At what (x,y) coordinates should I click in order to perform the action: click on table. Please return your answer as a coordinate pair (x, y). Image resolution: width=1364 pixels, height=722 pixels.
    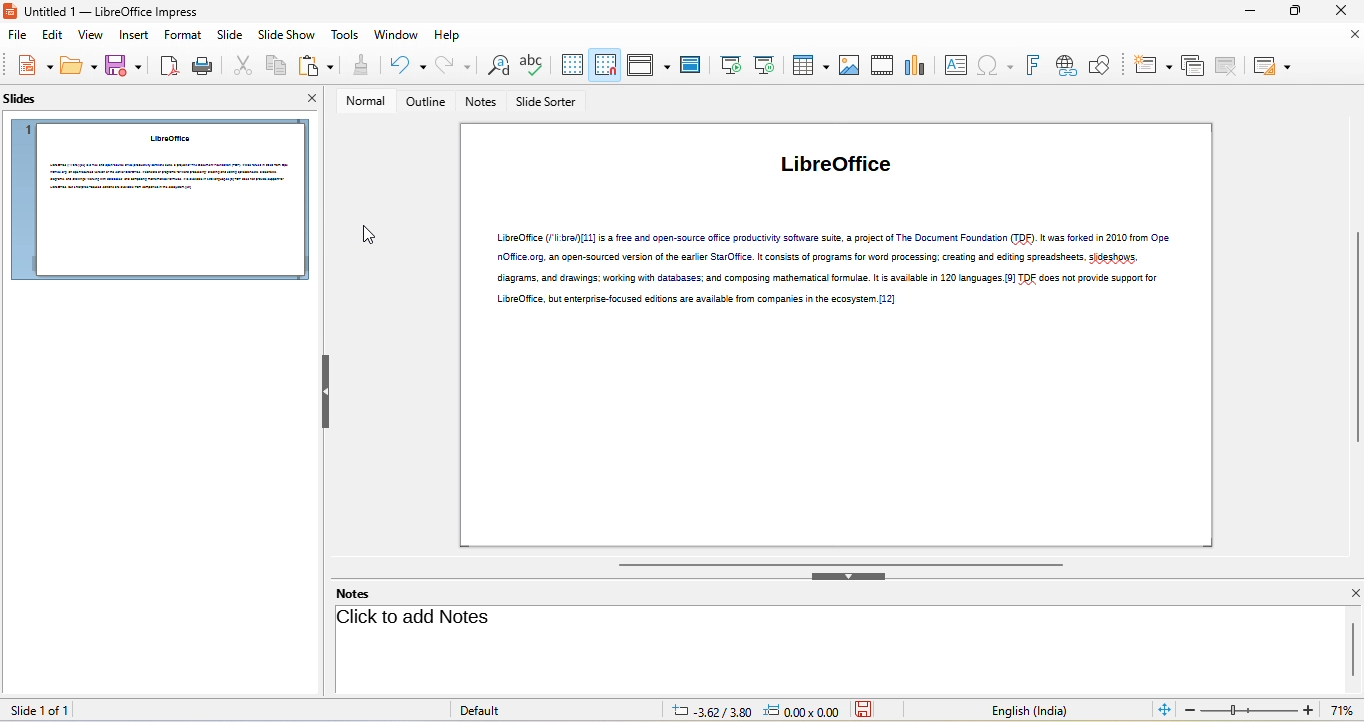
    Looking at the image, I should click on (809, 67).